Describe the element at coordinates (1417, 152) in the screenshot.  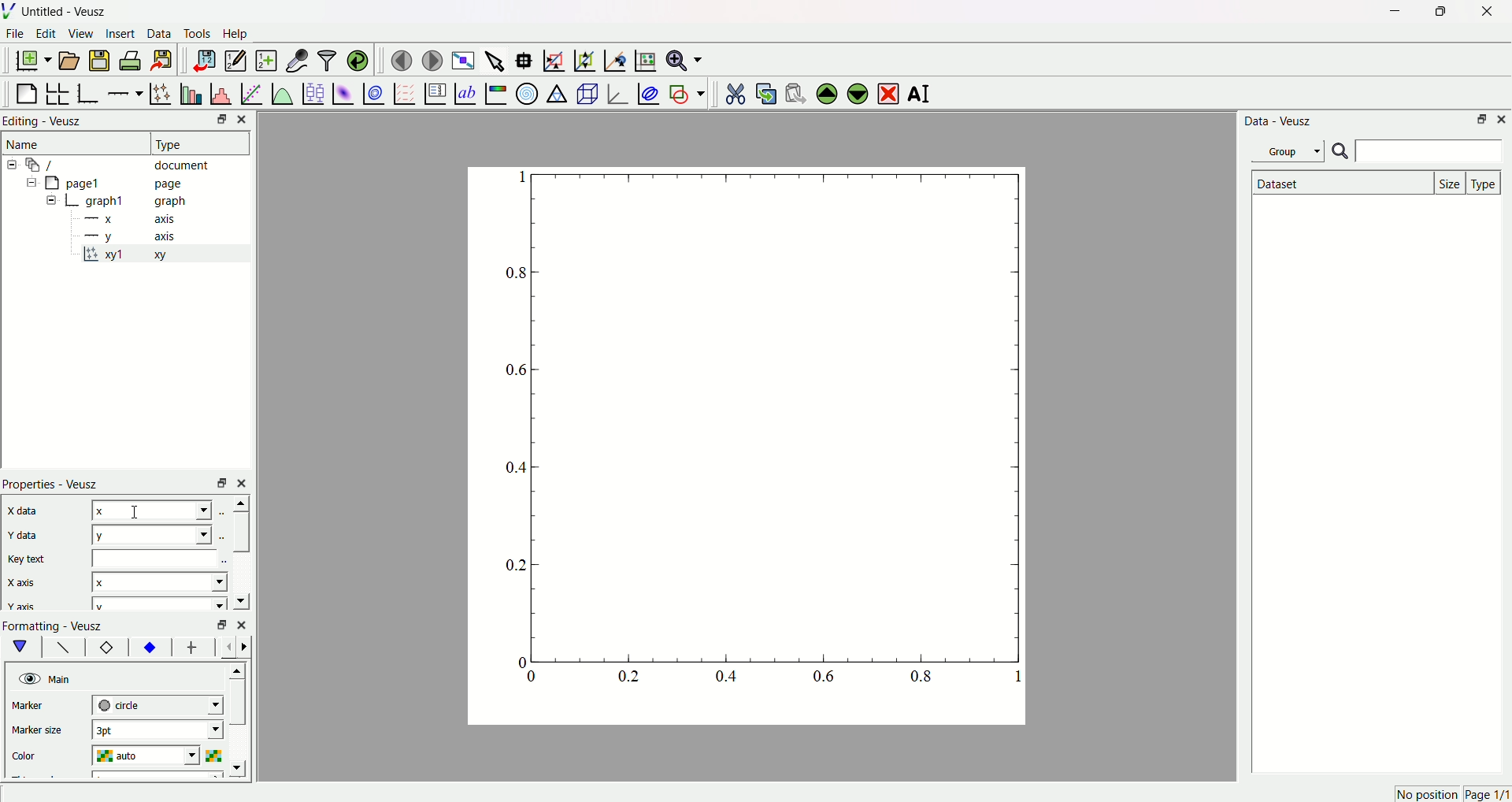
I see `Searchbar` at that location.